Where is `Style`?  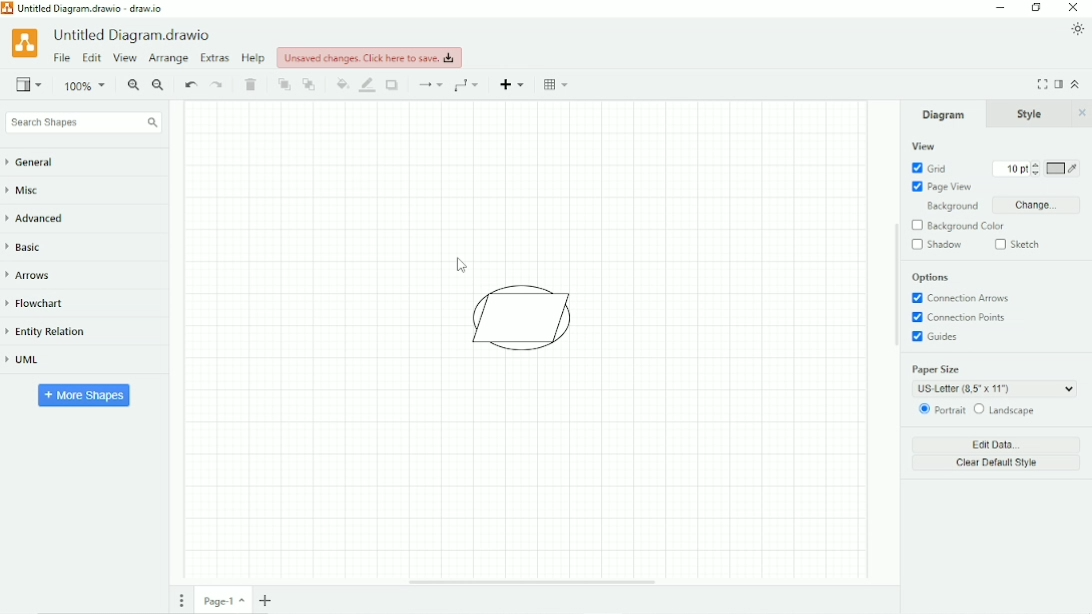
Style is located at coordinates (1032, 114).